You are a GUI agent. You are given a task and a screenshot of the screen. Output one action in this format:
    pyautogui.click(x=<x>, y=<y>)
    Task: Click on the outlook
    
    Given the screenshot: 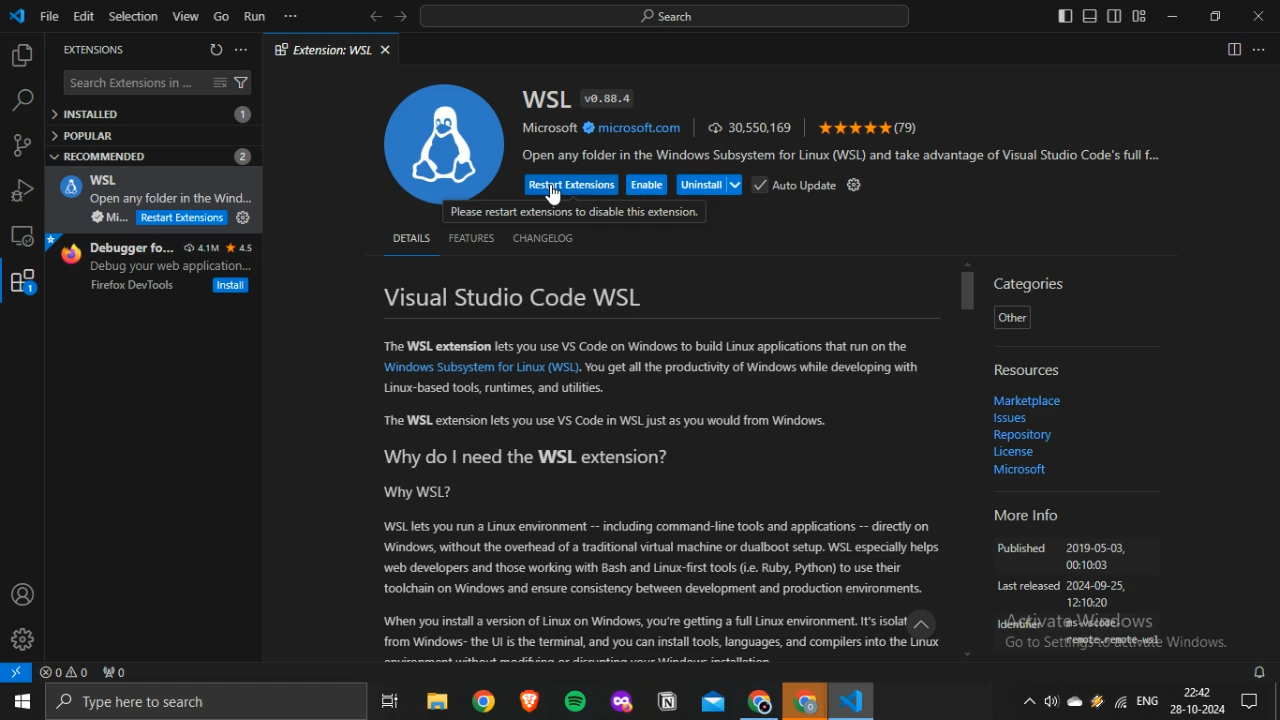 What is the action you would take?
    pyautogui.click(x=715, y=701)
    